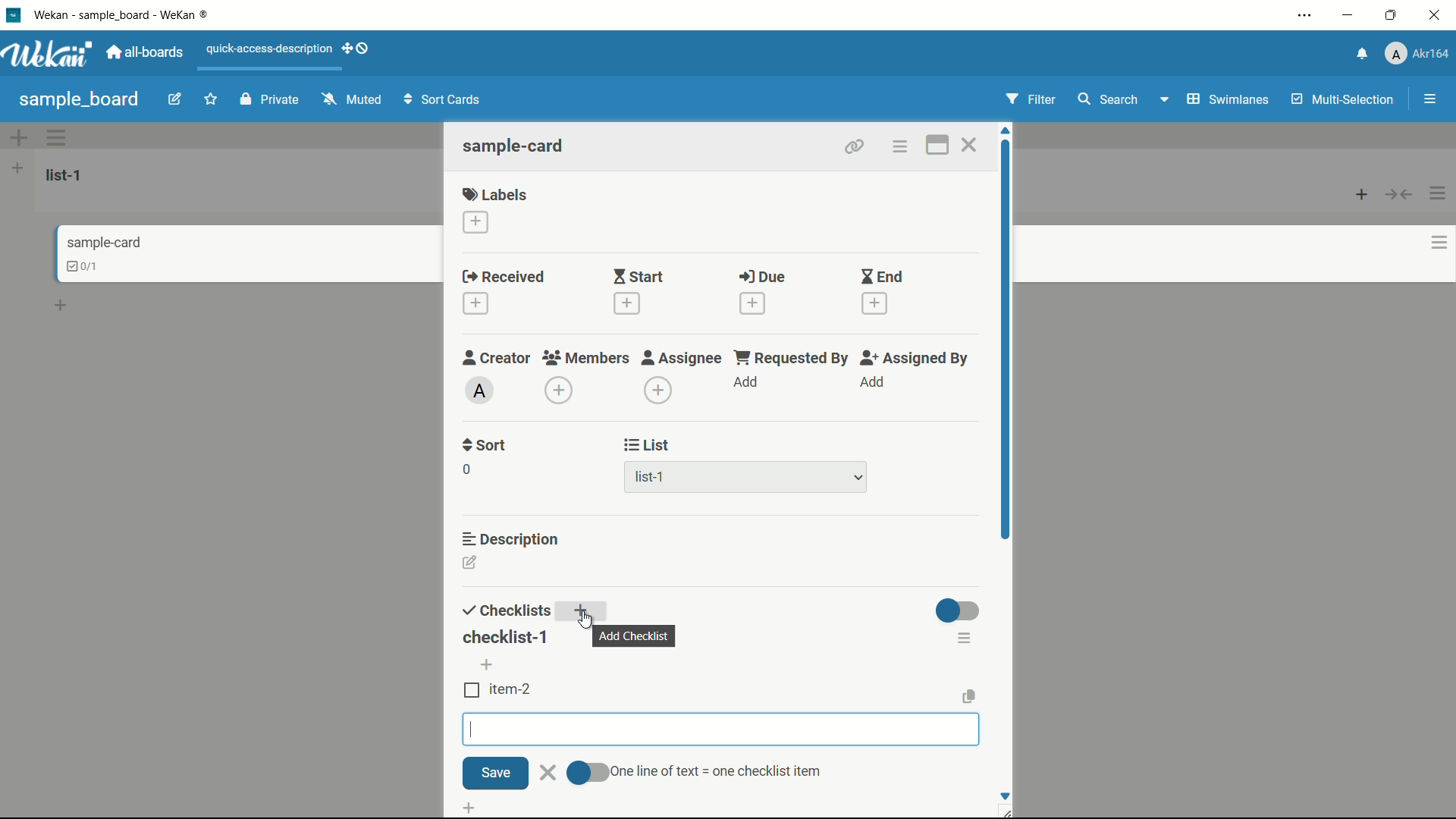 The image size is (1456, 819). What do you see at coordinates (970, 695) in the screenshot?
I see `copy text to clipboard` at bounding box center [970, 695].